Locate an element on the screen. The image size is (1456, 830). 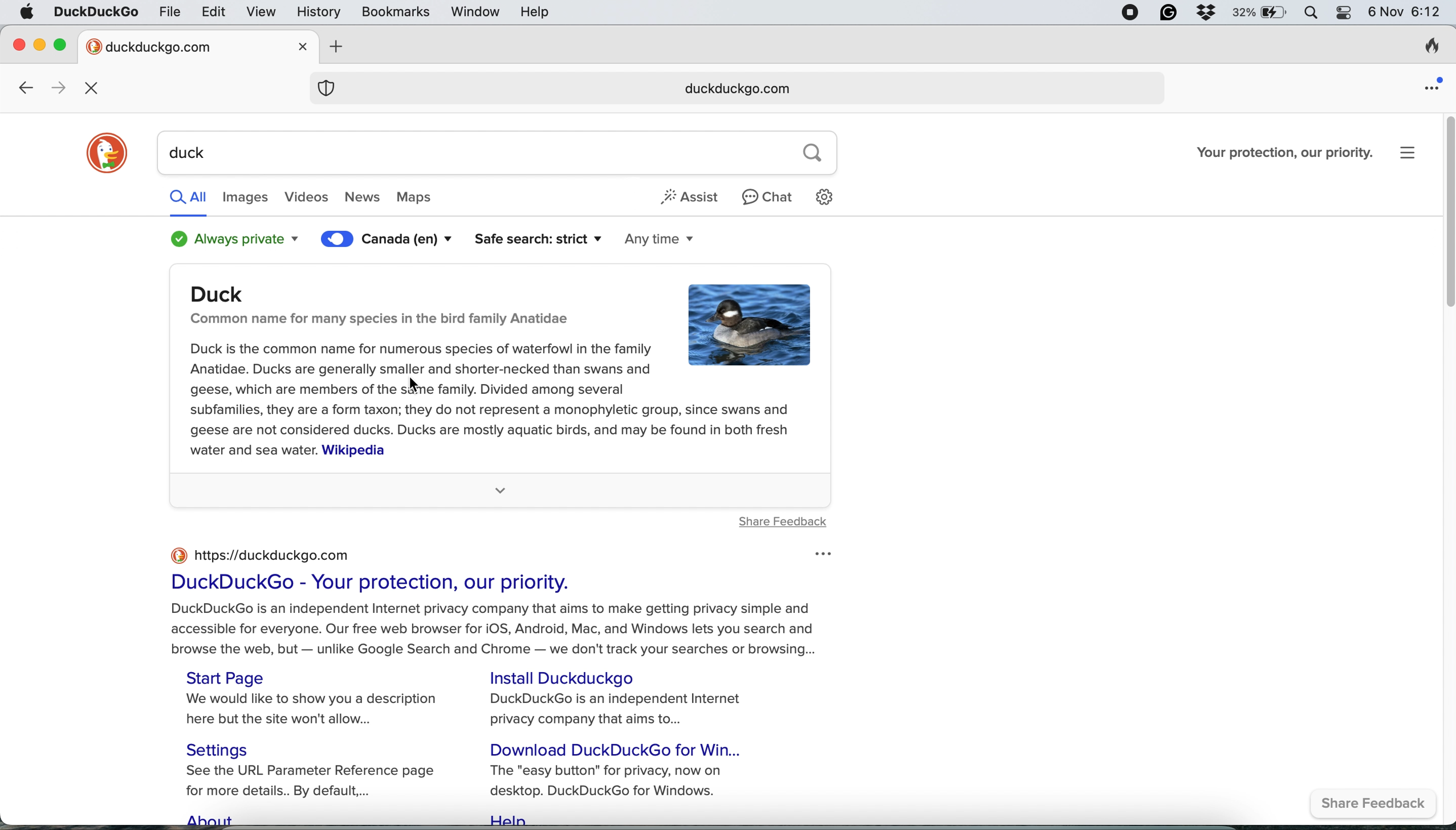
See the URL Parameter Reference page
for more details.. By default,... is located at coordinates (319, 782).